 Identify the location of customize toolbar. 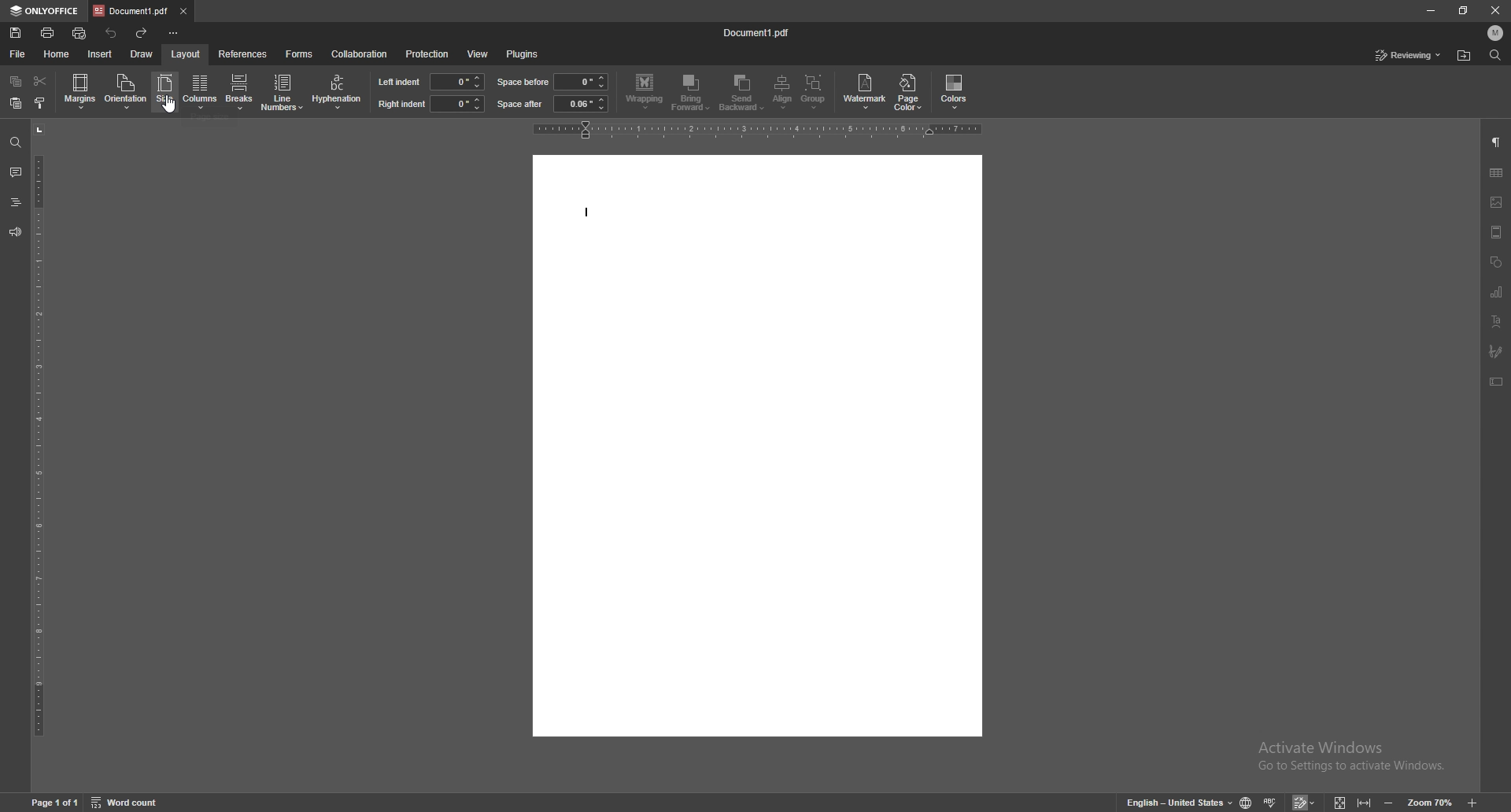
(173, 33).